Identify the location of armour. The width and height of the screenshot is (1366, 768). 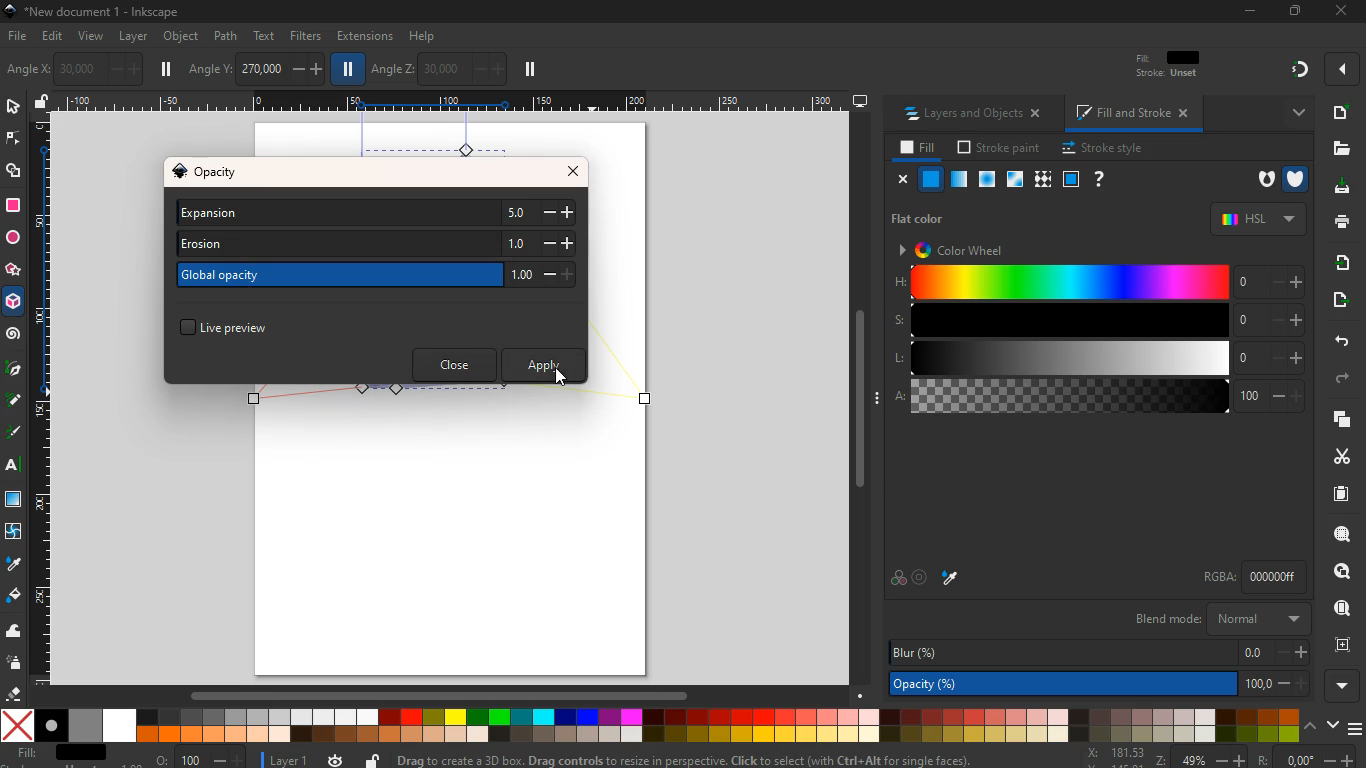
(1295, 178).